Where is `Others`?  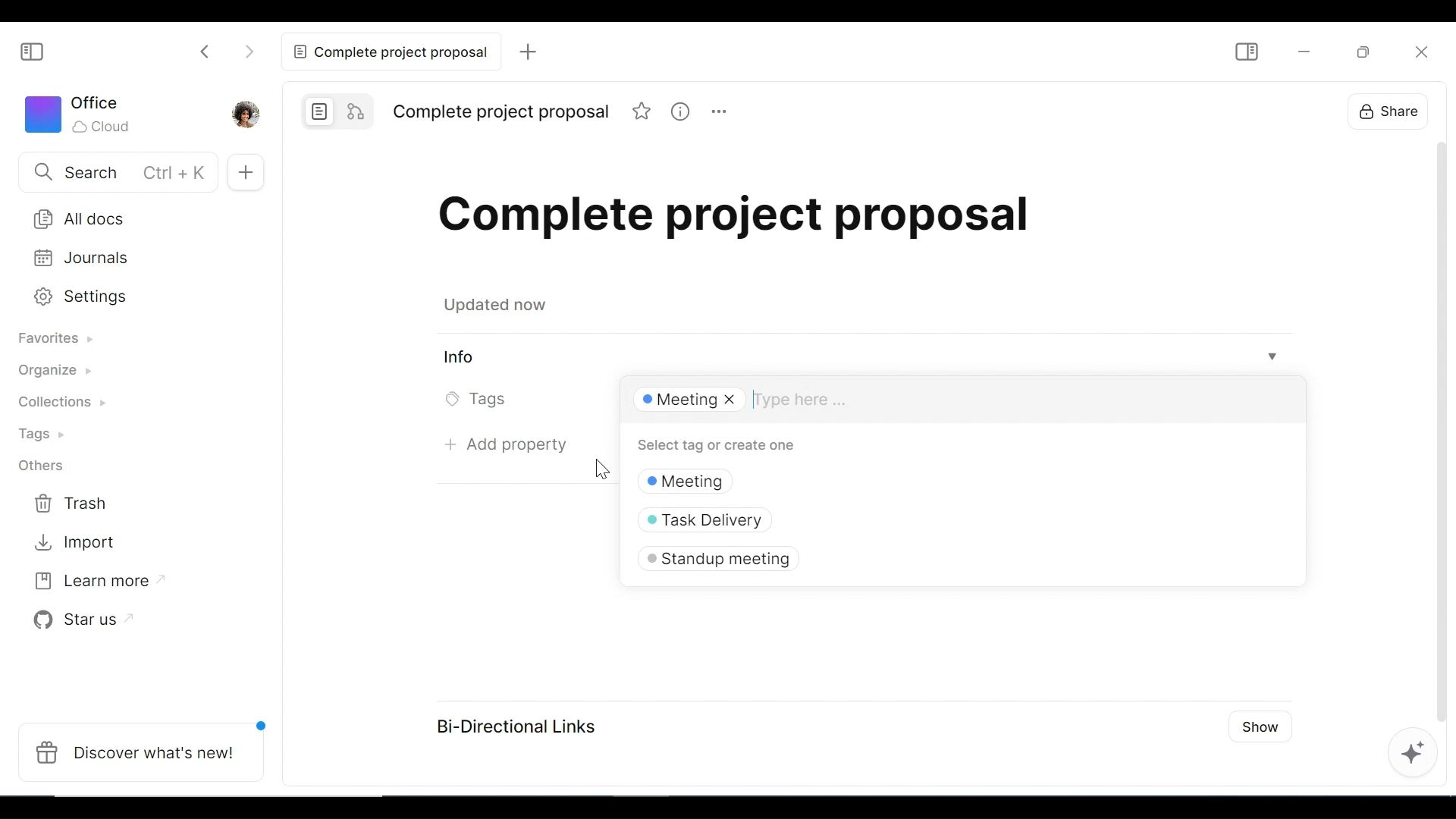 Others is located at coordinates (40, 465).